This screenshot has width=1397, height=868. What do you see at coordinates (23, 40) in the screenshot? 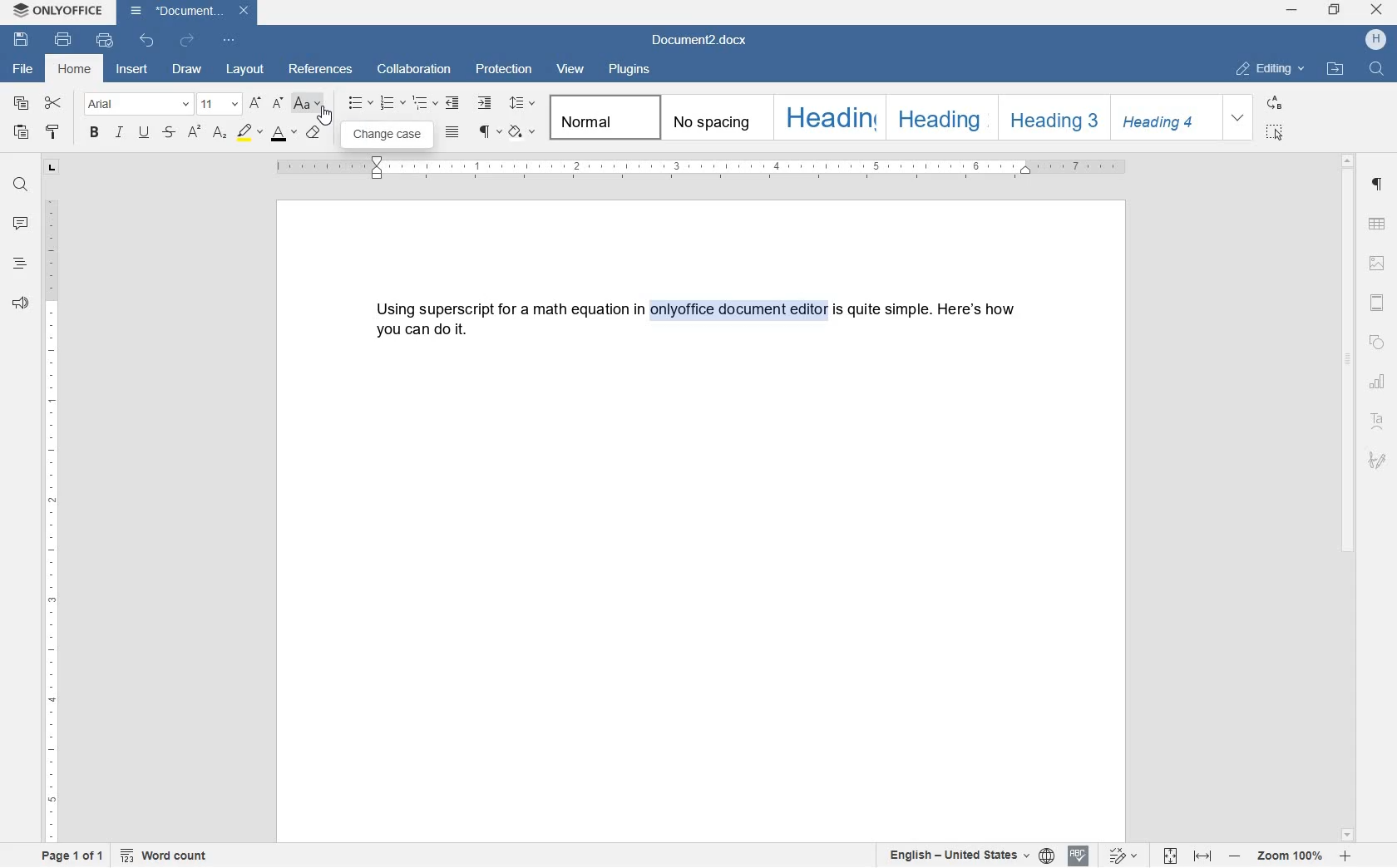
I see `save` at bounding box center [23, 40].